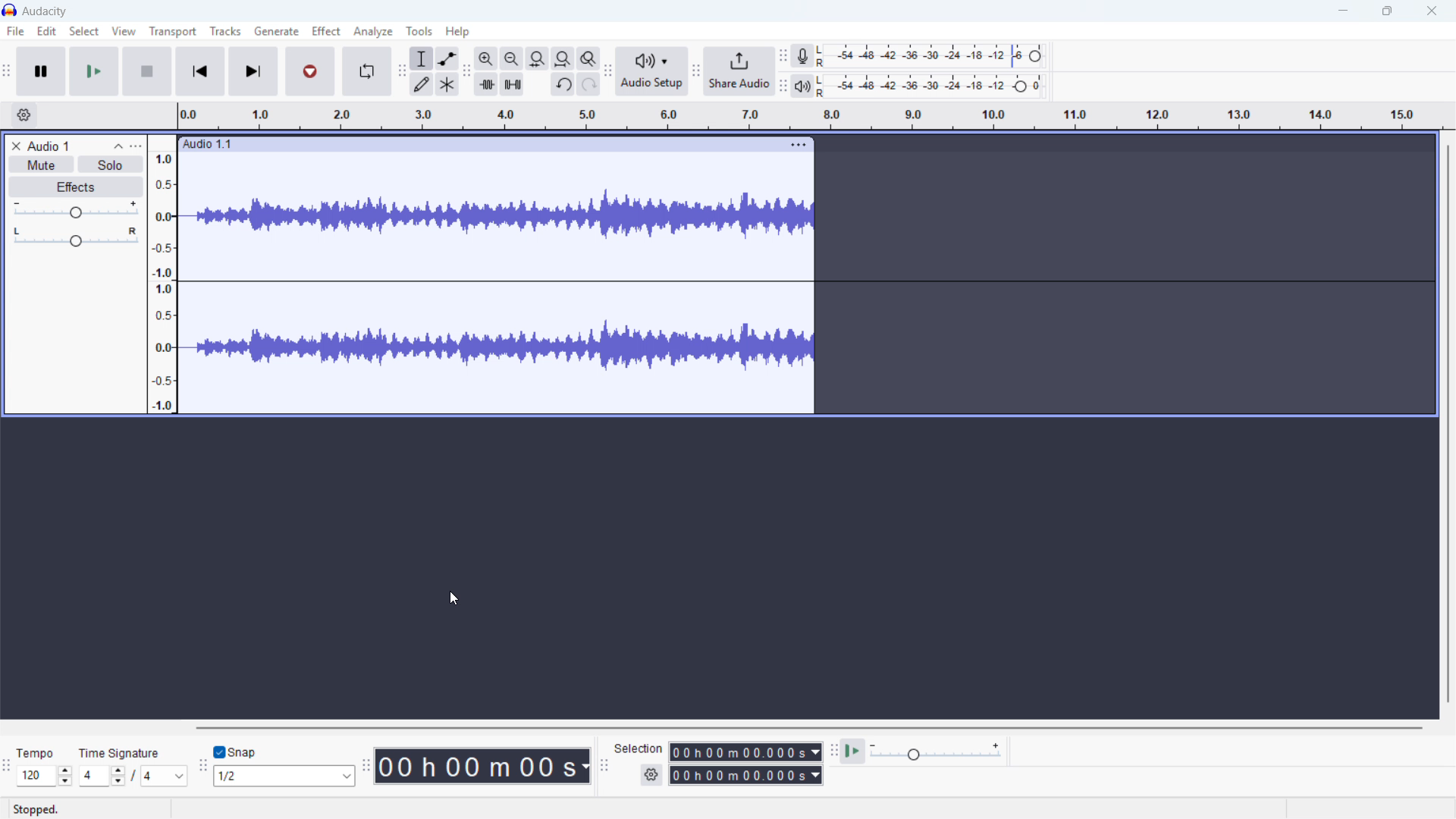  Describe the element at coordinates (235, 752) in the screenshot. I see `Toggle snap` at that location.